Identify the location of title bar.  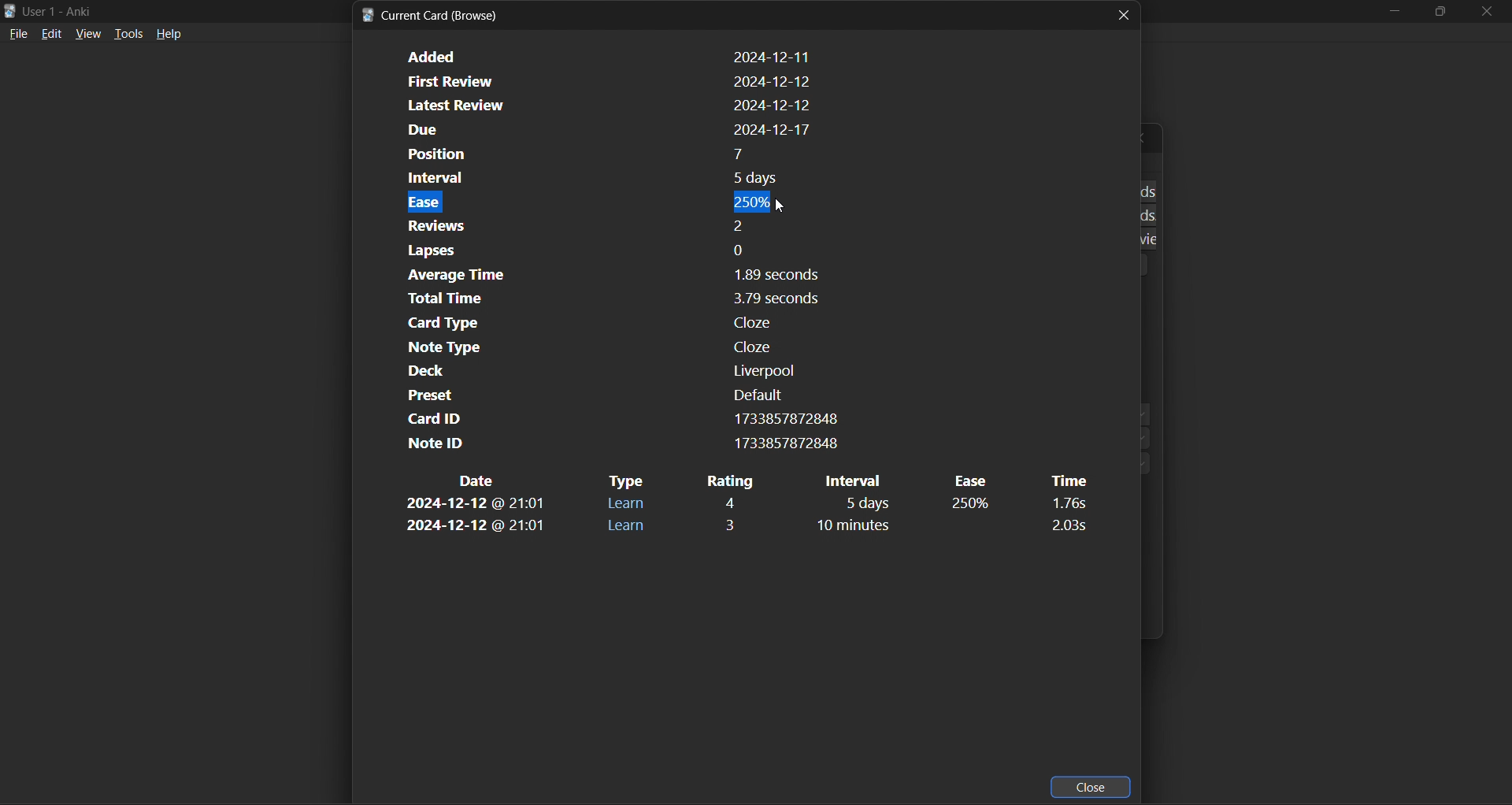
(70, 11).